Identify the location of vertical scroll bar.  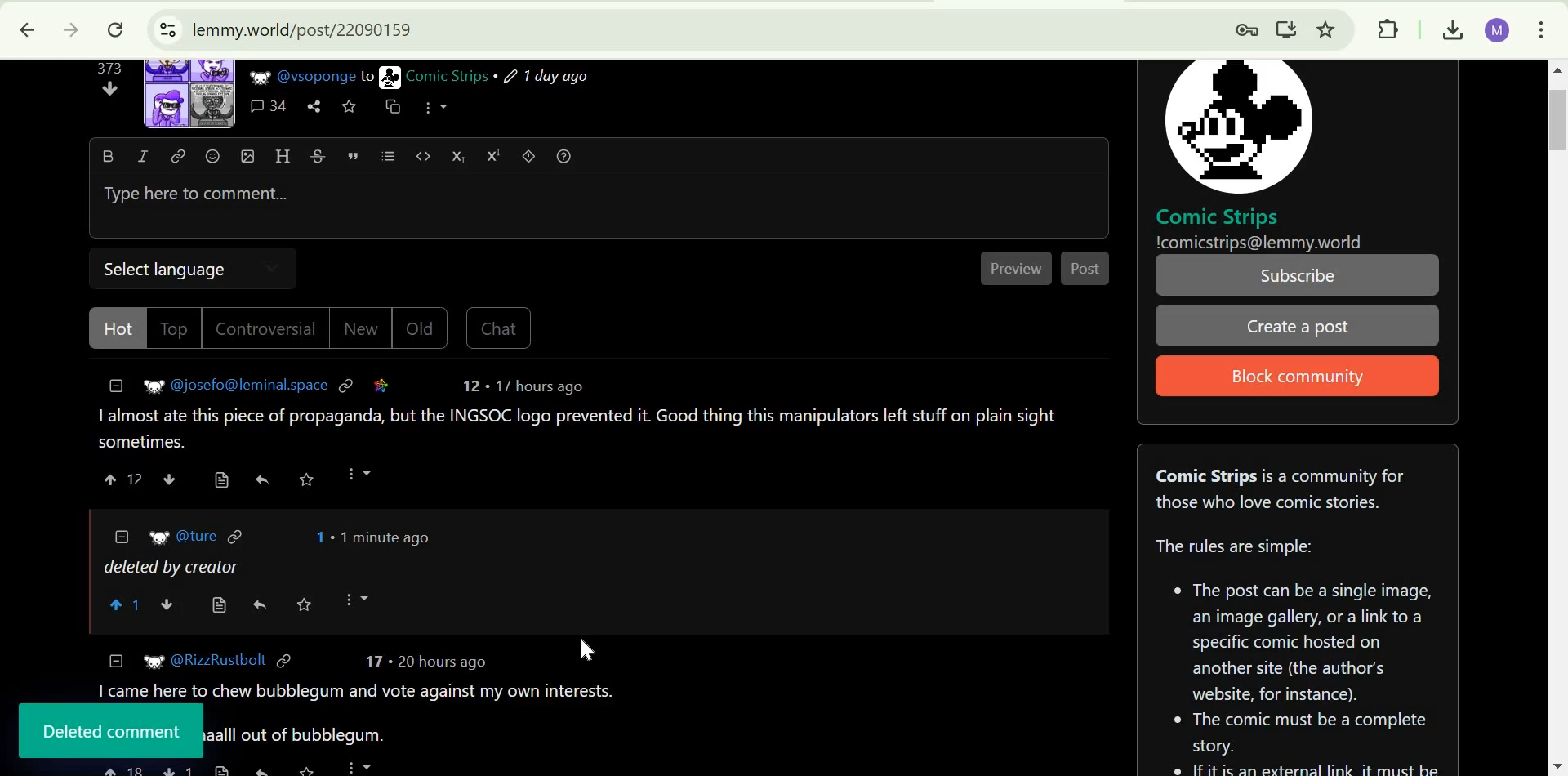
(1550, 119).